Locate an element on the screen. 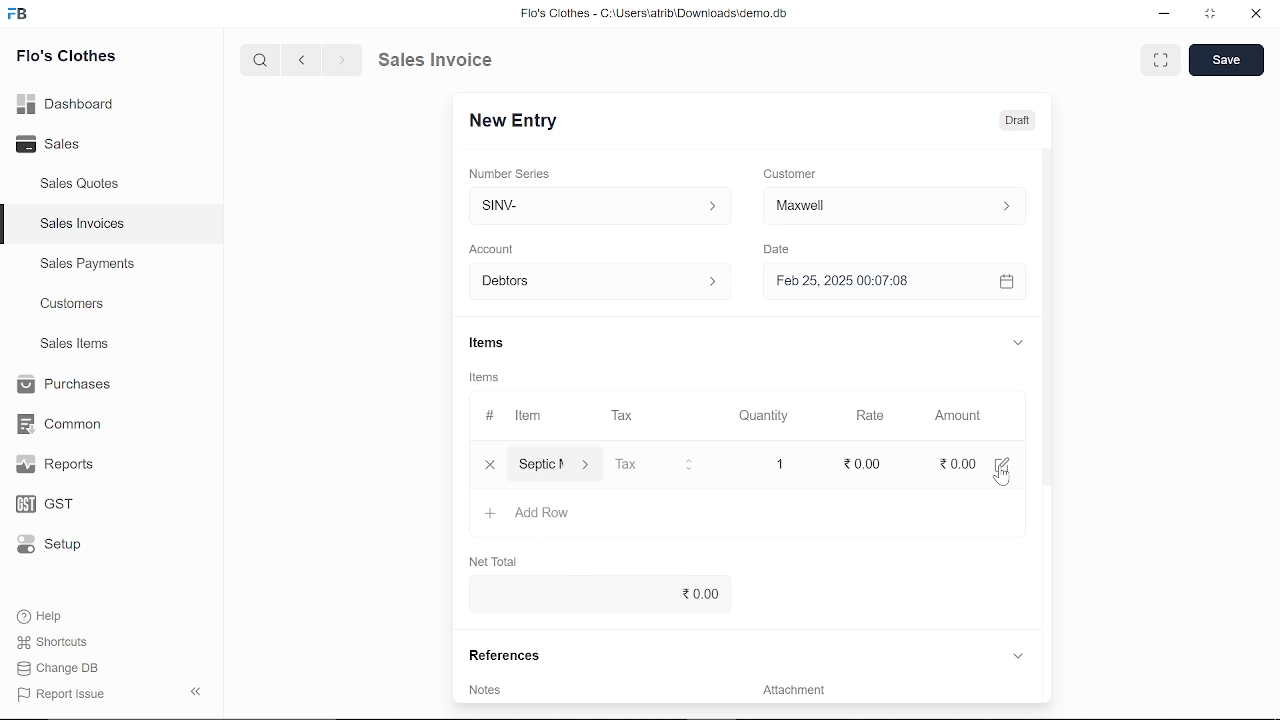 This screenshot has height=720, width=1280. Items is located at coordinates (491, 343).